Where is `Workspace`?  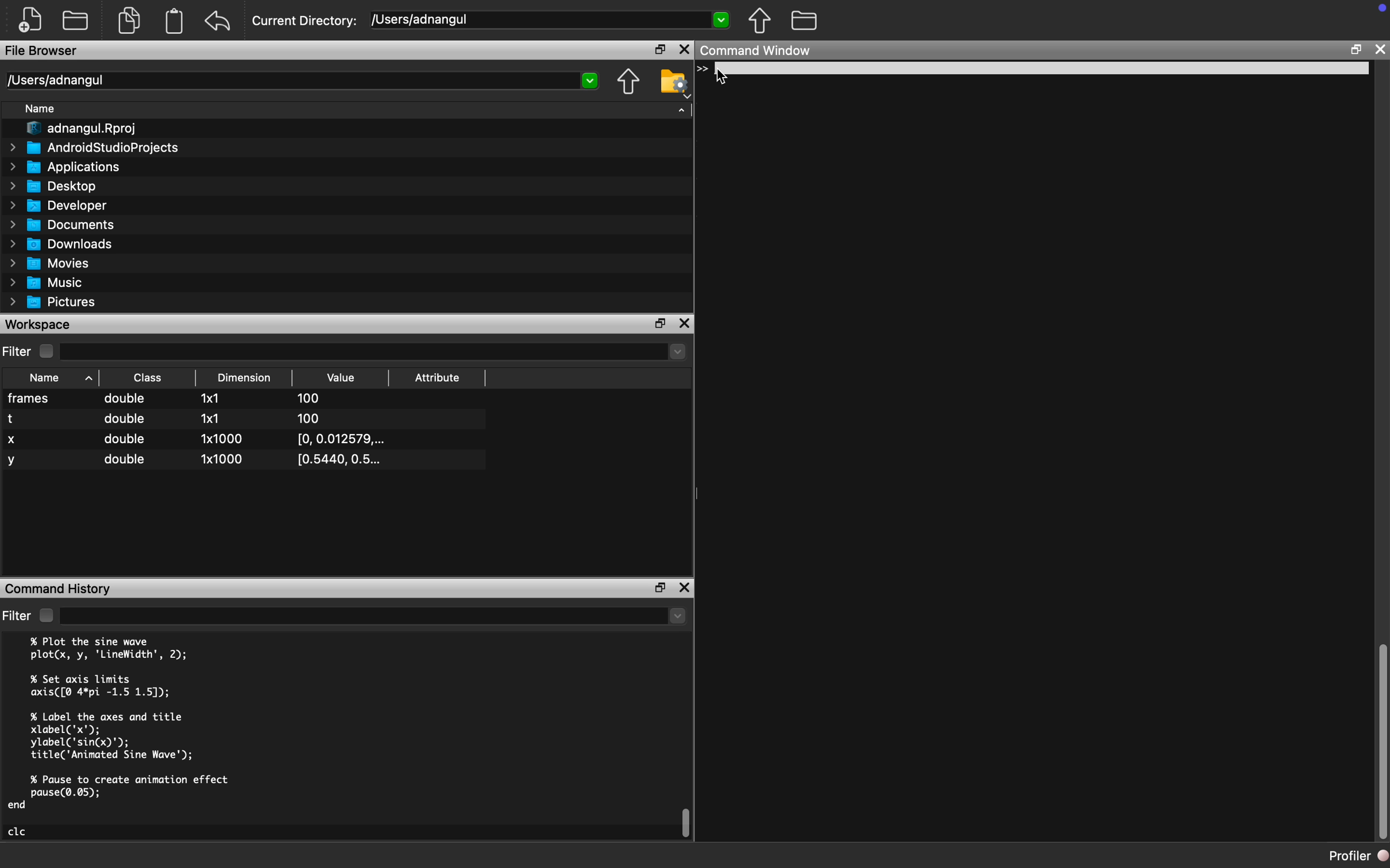
Workspace is located at coordinates (40, 325).